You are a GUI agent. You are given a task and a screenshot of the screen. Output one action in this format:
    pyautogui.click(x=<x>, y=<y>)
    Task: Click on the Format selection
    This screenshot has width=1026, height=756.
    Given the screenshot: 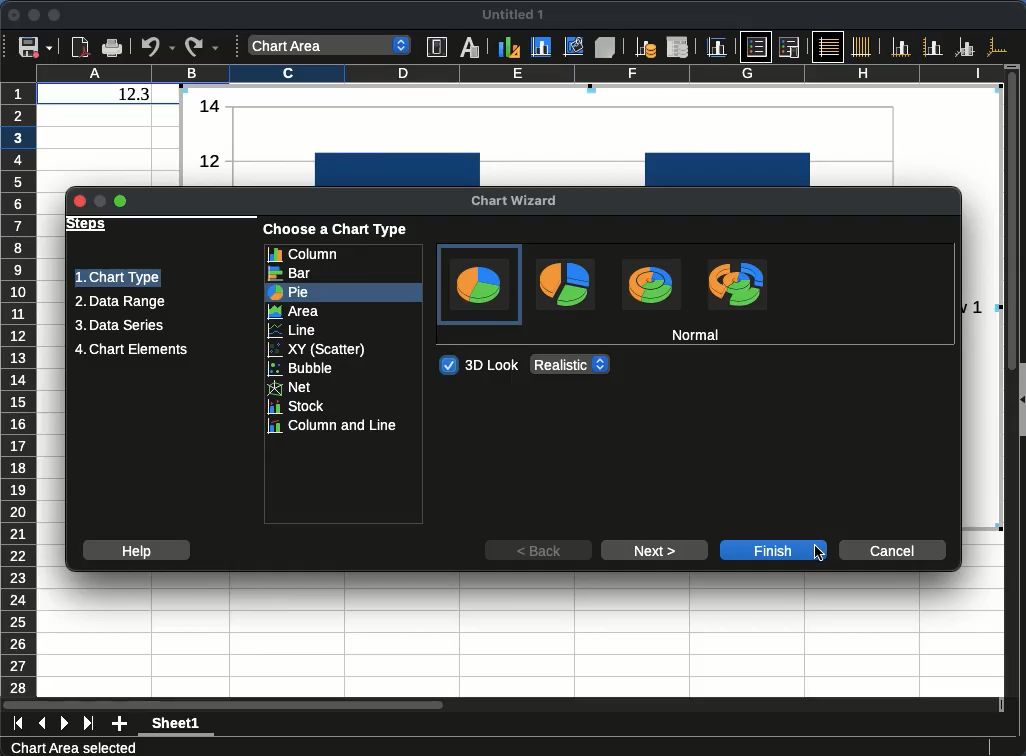 What is the action you would take?
    pyautogui.click(x=437, y=47)
    